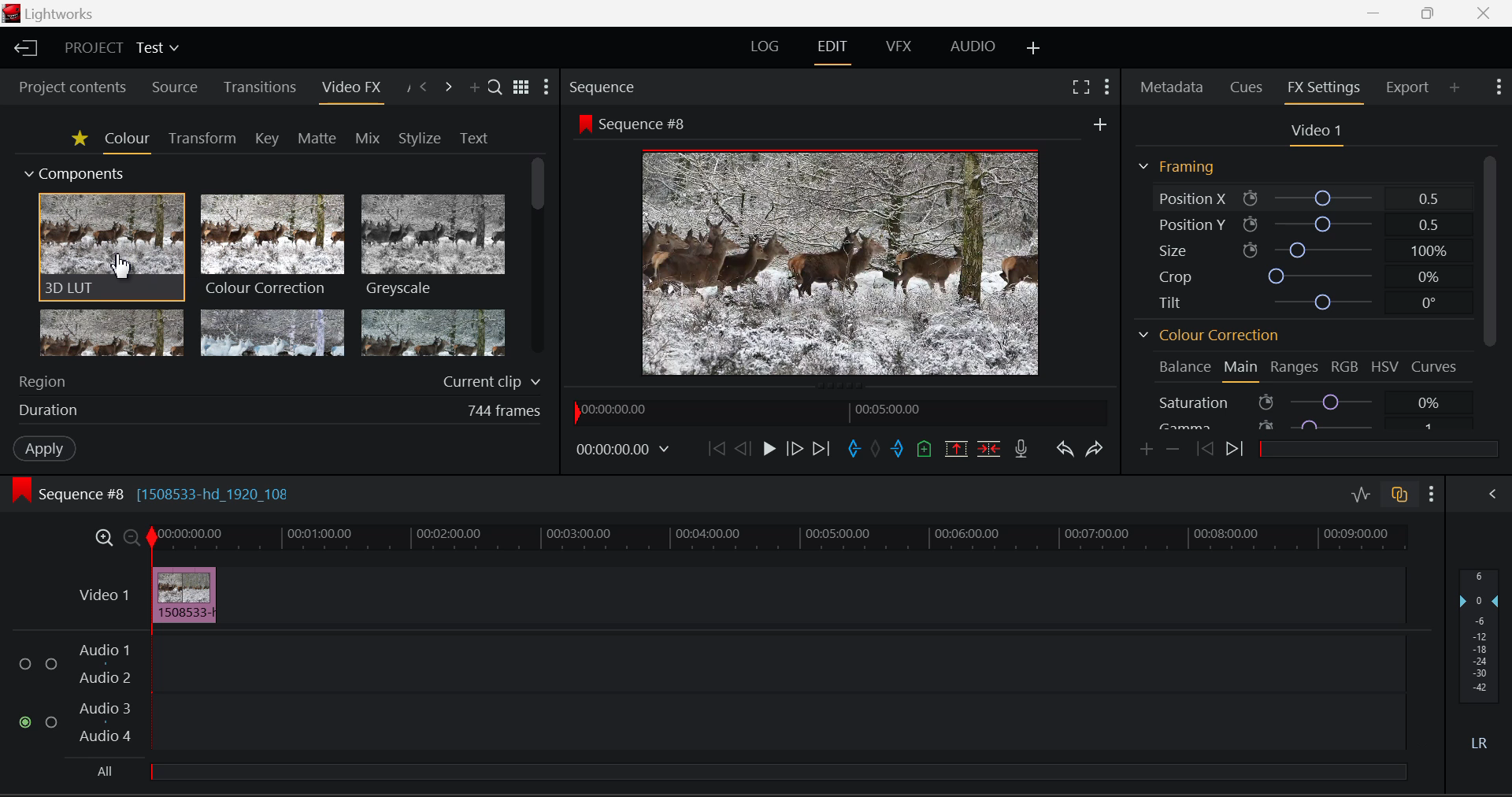  I want to click on Mix, so click(369, 135).